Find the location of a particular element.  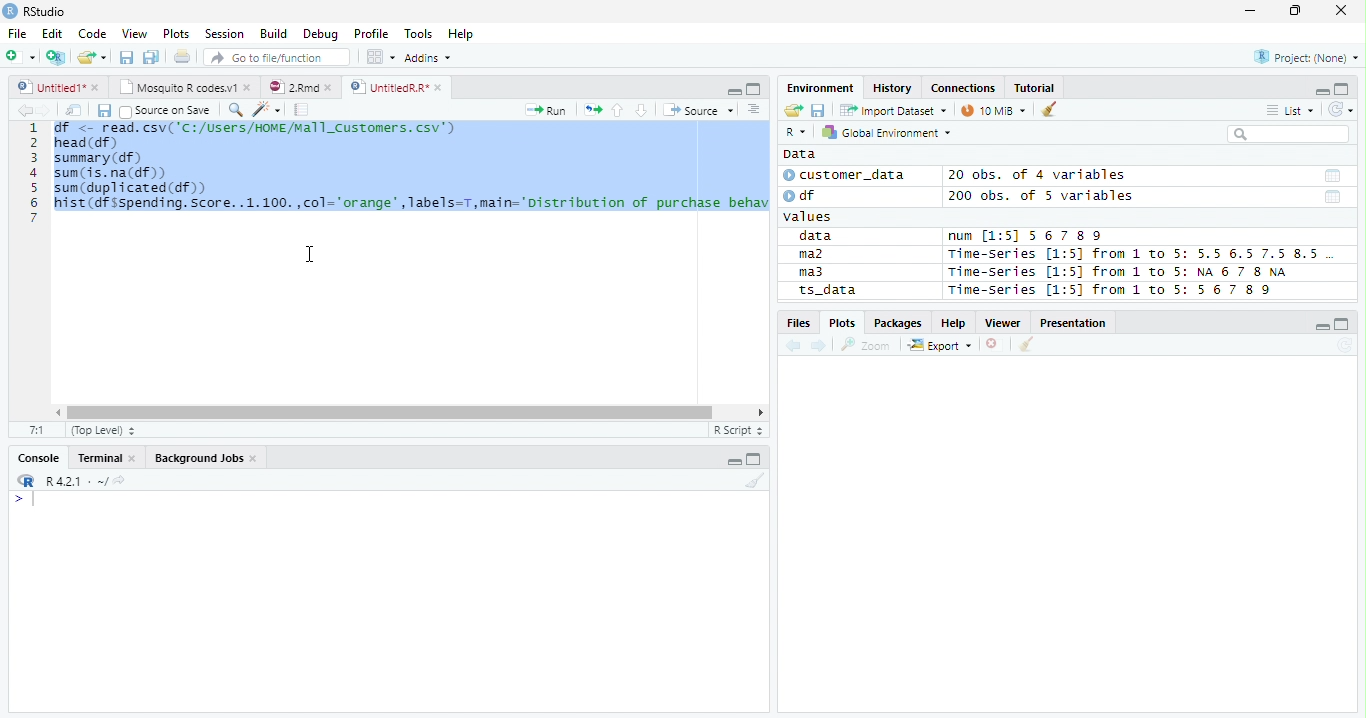

View Current work directory is located at coordinates (121, 480).